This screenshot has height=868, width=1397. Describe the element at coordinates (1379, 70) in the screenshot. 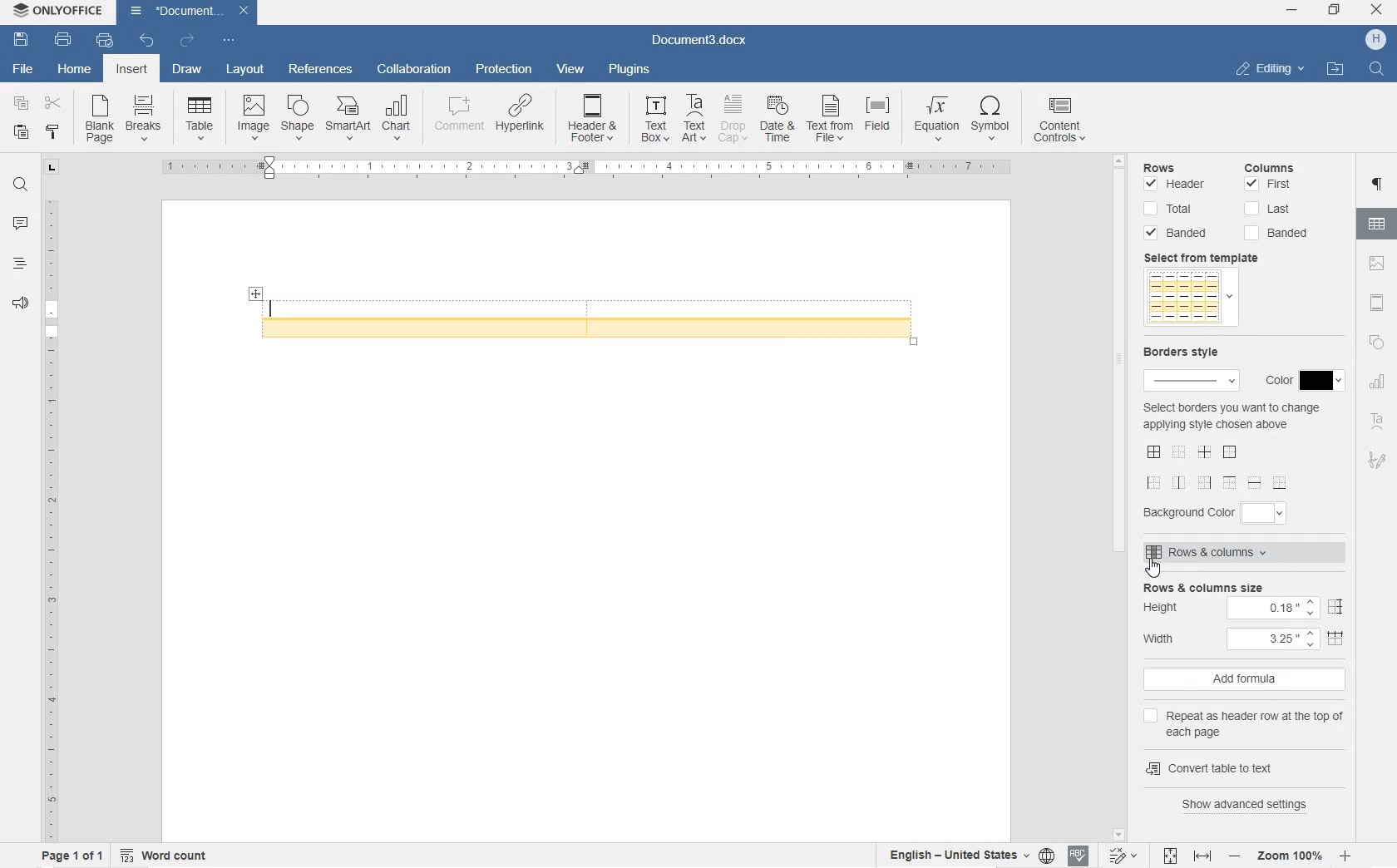

I see `find` at that location.